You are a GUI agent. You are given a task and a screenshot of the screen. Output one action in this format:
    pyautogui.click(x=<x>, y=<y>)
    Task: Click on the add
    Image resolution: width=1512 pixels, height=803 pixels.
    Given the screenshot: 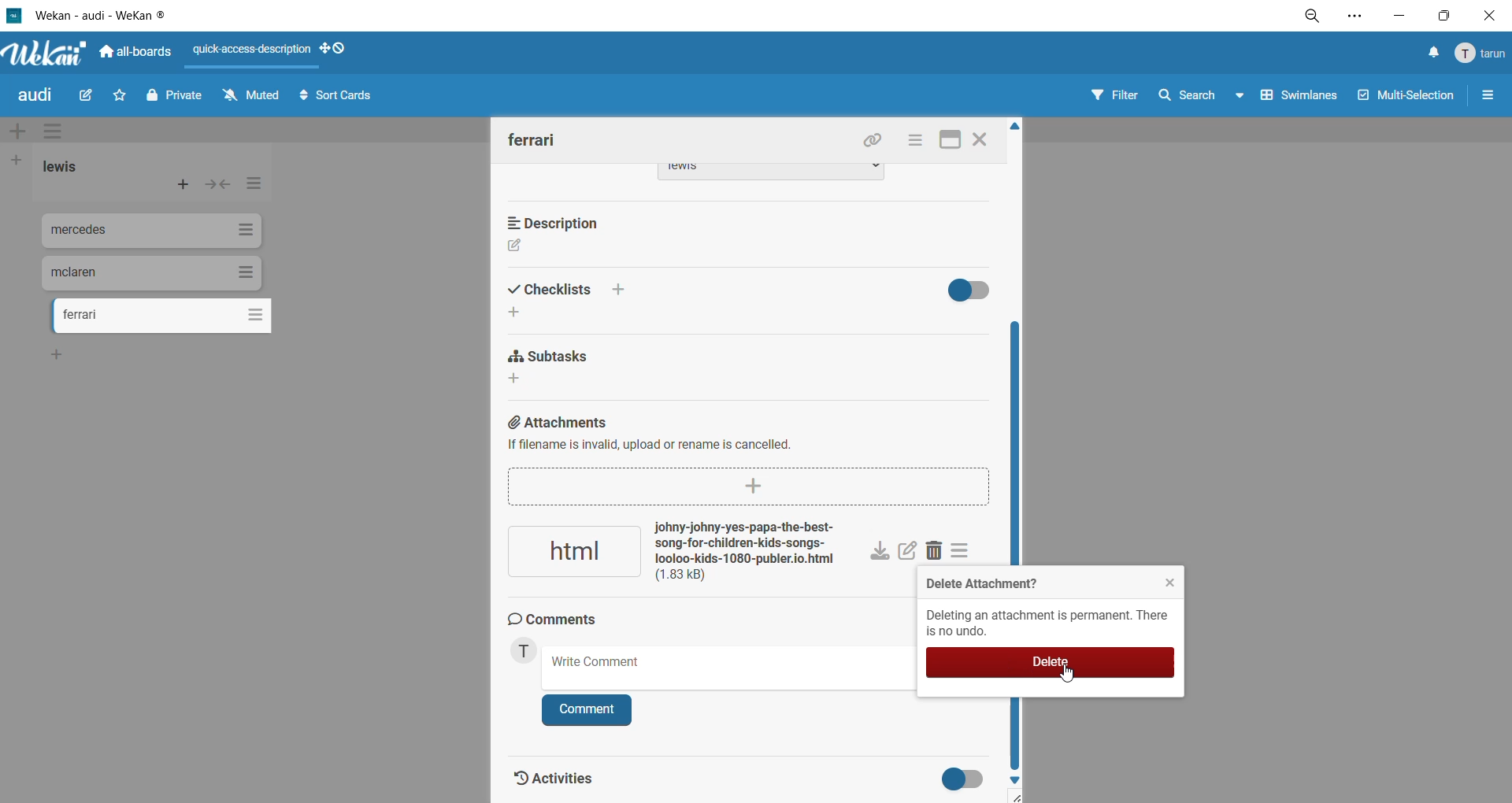 What is the action you would take?
    pyautogui.click(x=520, y=380)
    